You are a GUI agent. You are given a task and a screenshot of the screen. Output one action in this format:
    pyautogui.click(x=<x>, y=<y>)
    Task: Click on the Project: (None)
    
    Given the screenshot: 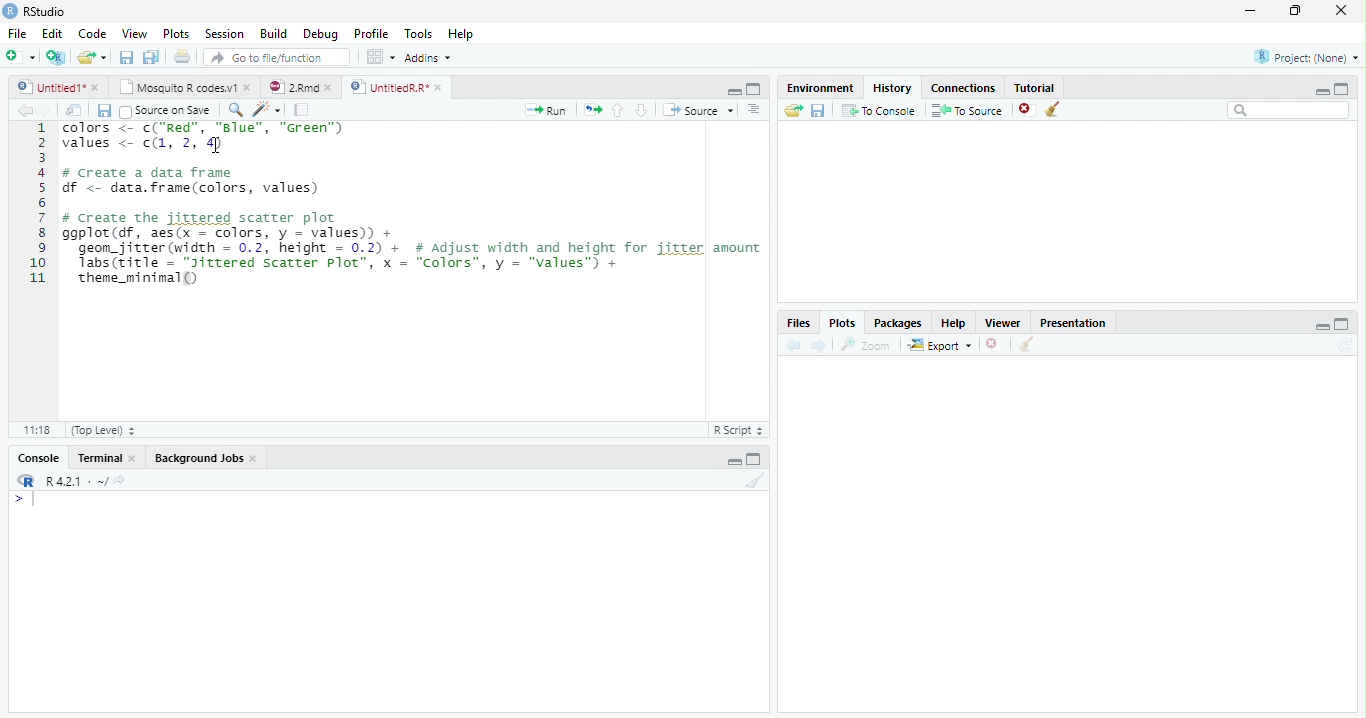 What is the action you would take?
    pyautogui.click(x=1306, y=57)
    